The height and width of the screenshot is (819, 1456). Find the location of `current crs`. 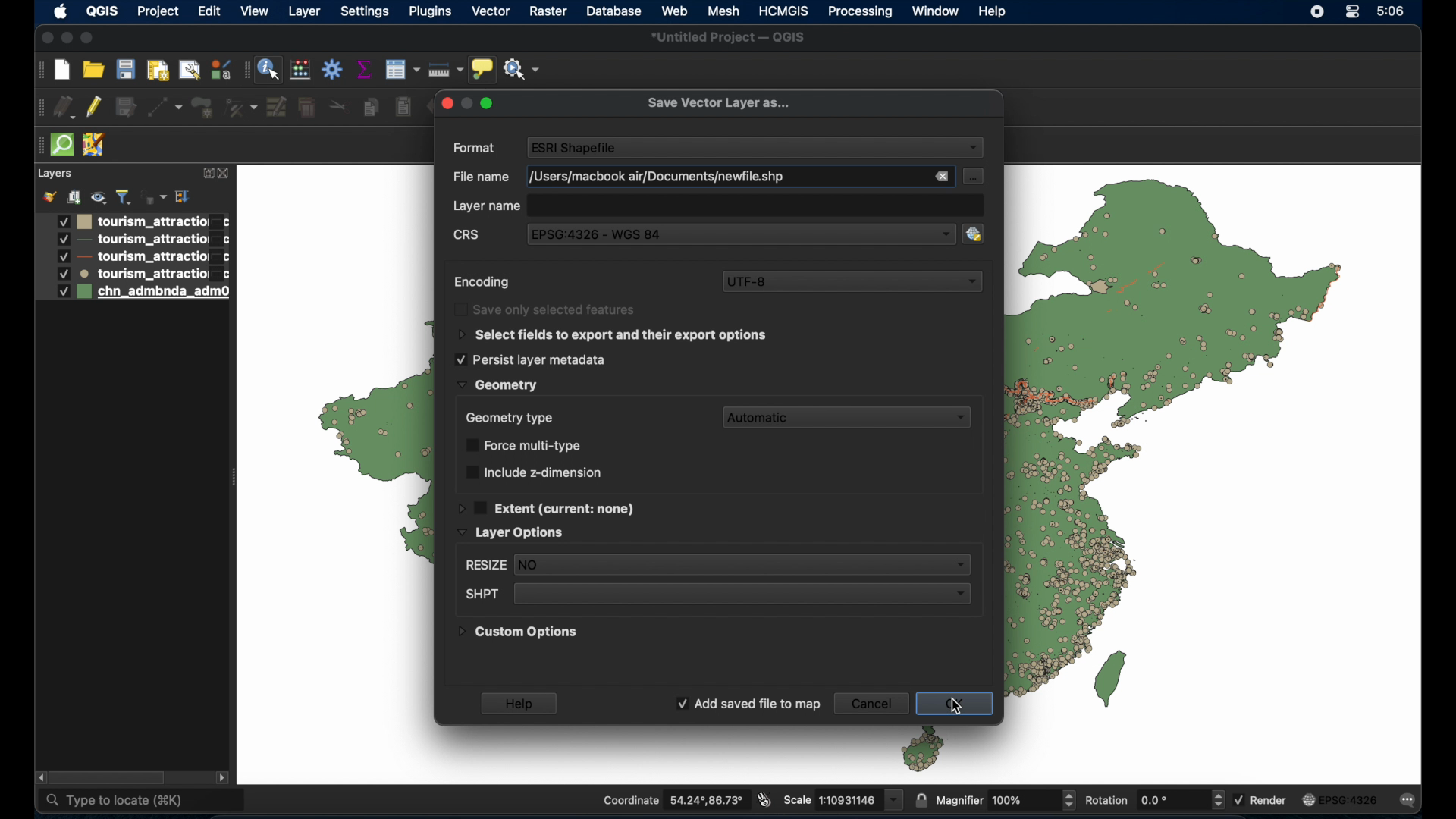

current crs is located at coordinates (1341, 799).